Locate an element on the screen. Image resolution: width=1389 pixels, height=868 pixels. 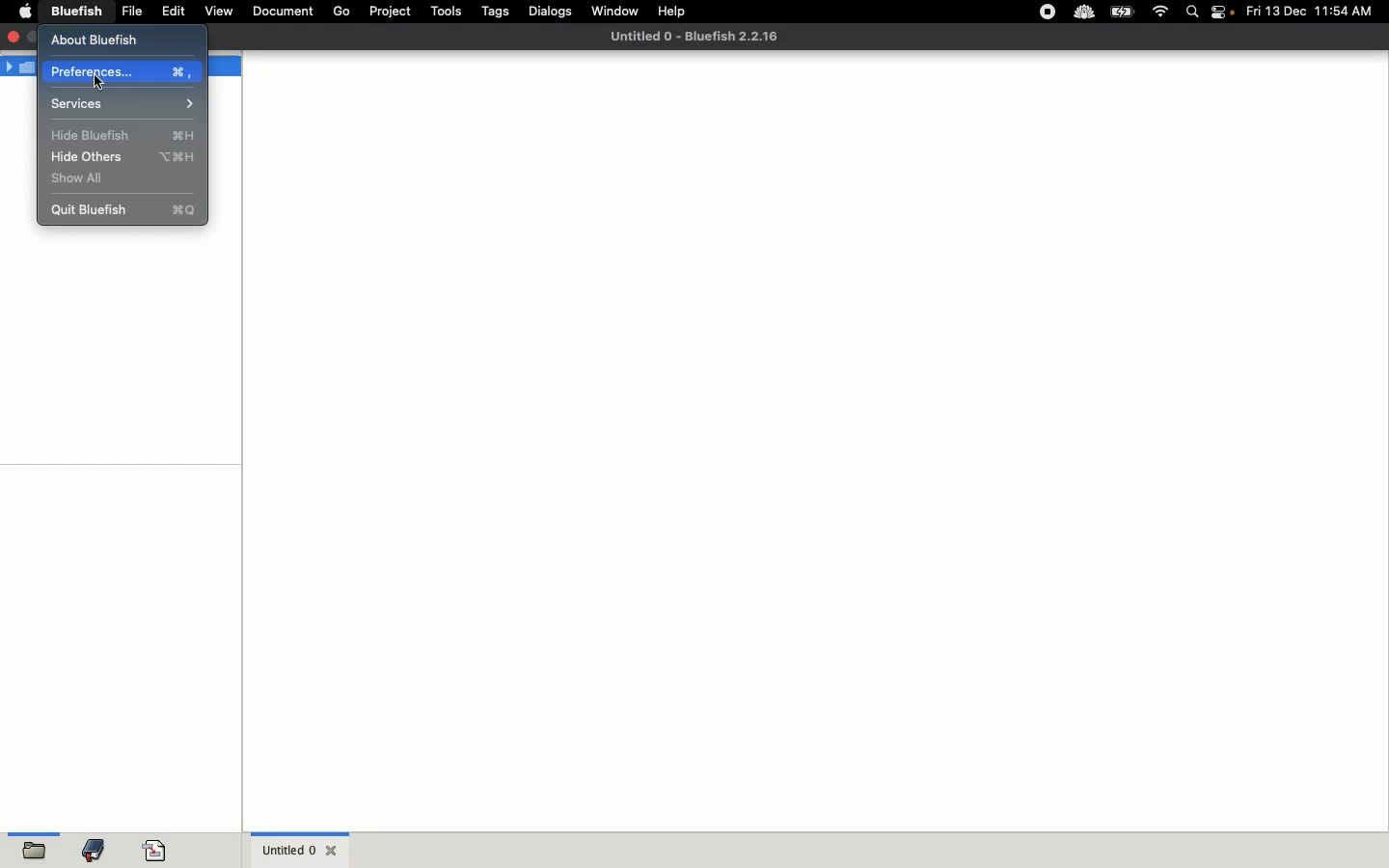
Services is located at coordinates (125, 105).